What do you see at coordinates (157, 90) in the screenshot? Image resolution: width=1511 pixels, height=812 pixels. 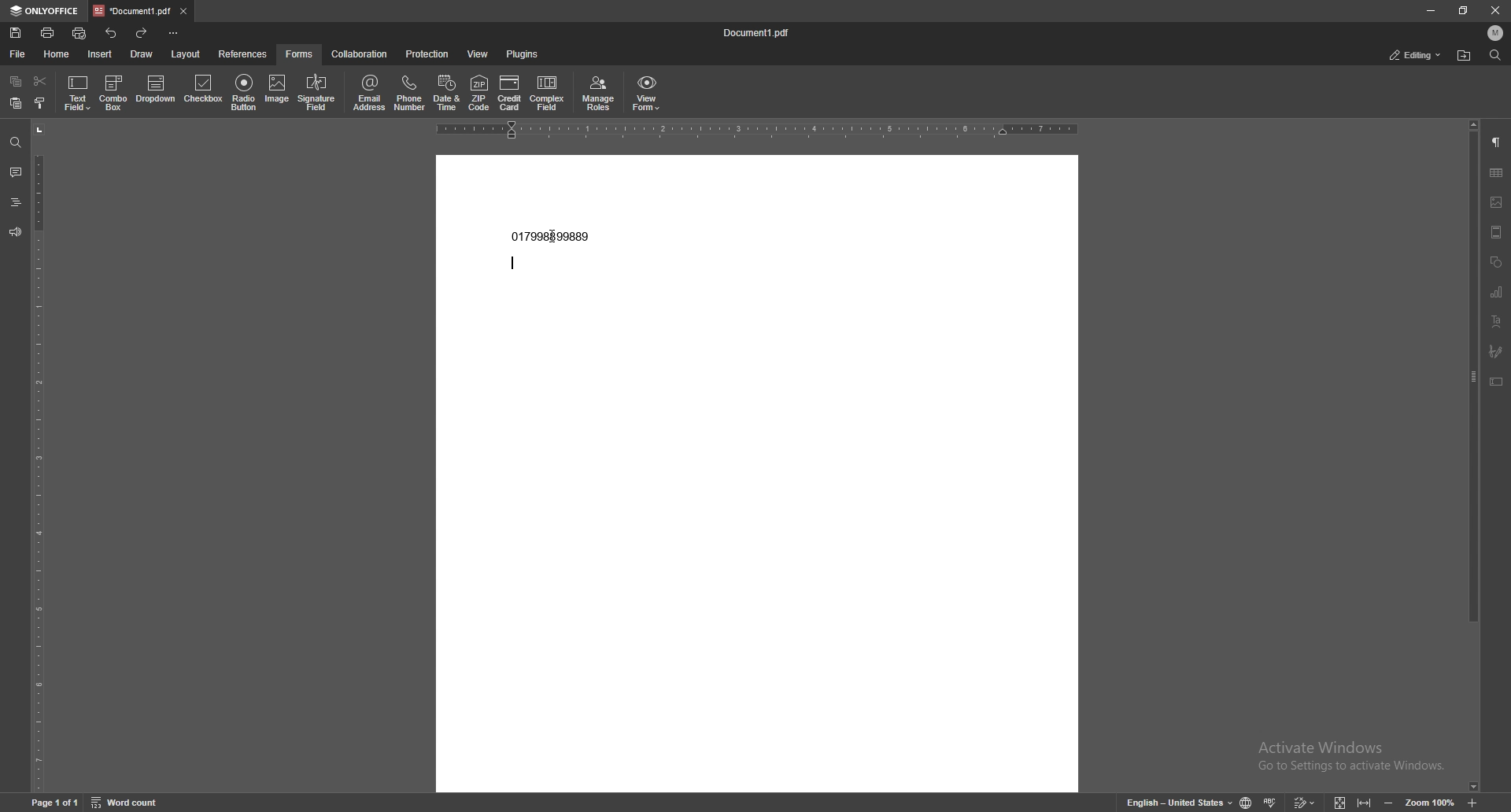 I see `dropdown` at bounding box center [157, 90].